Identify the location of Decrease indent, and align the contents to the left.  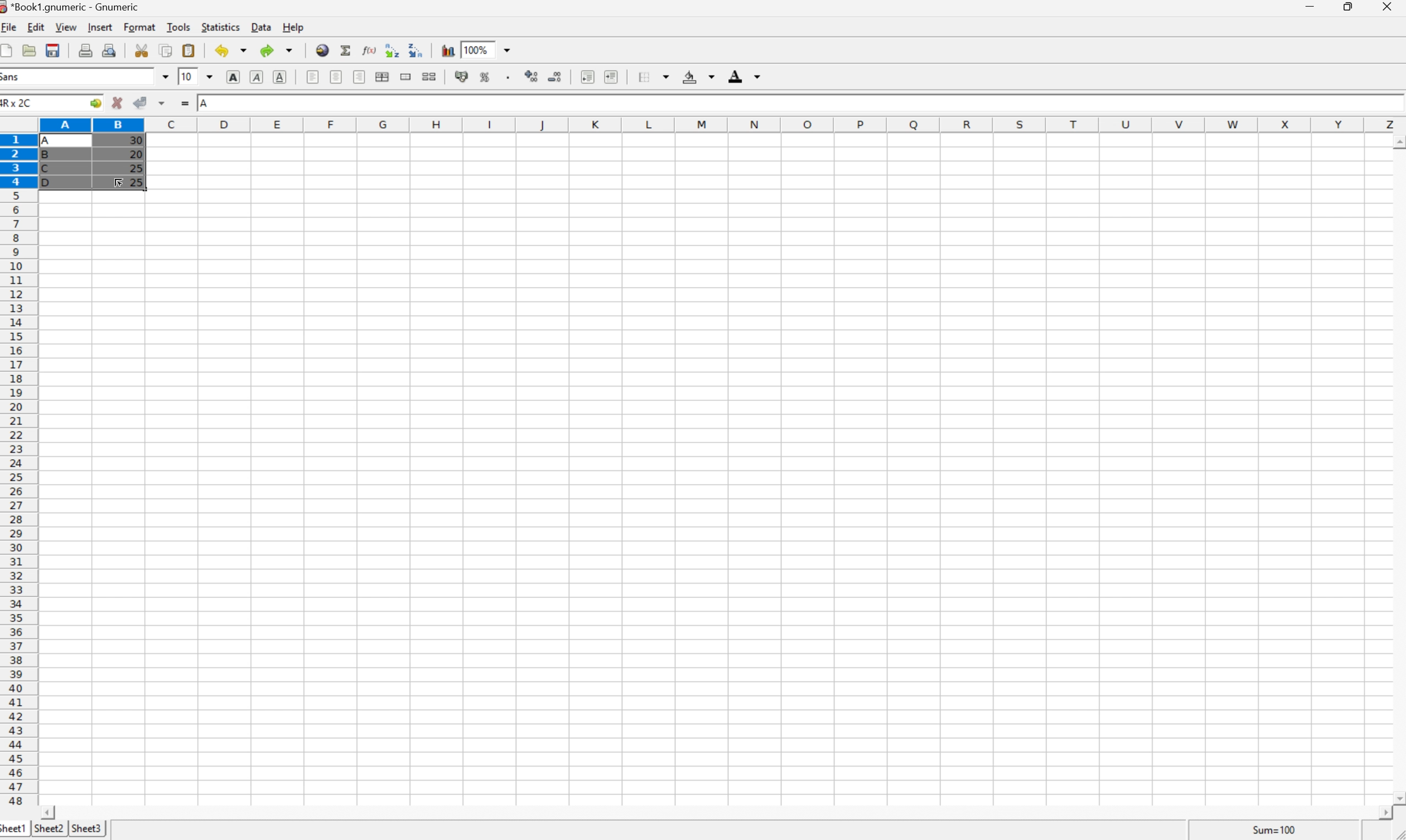
(587, 78).